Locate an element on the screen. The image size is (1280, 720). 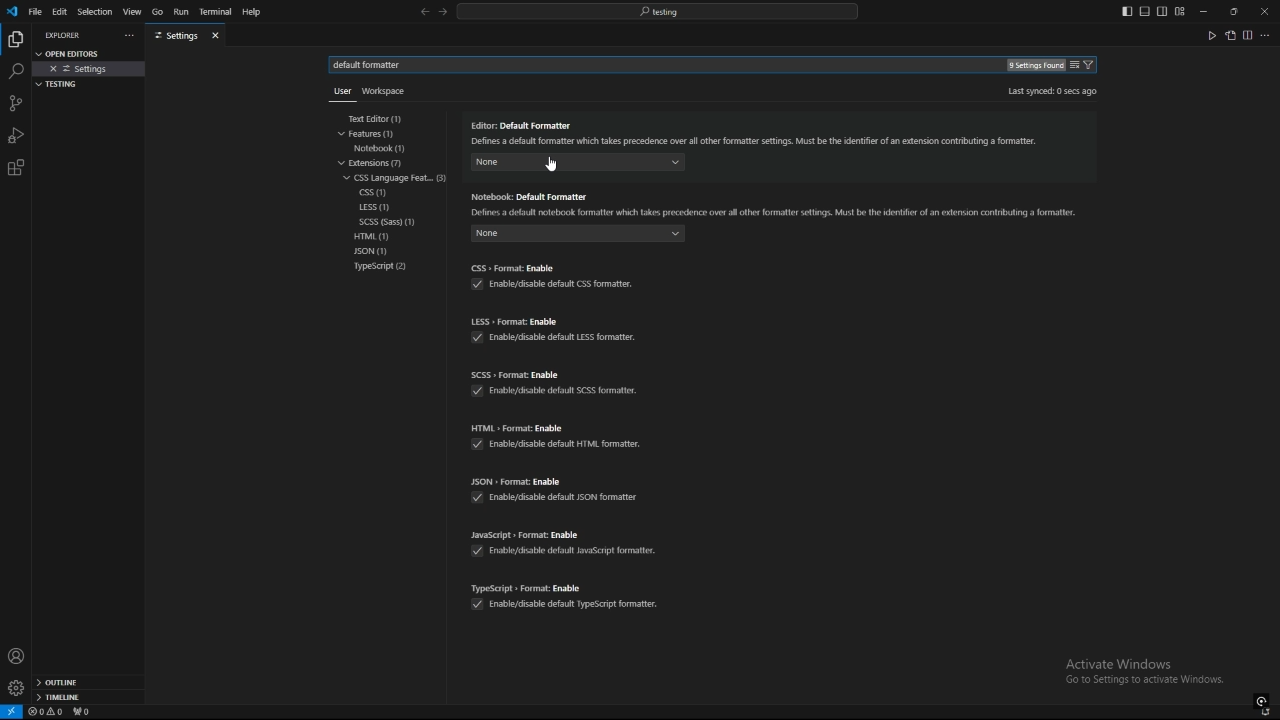
notebook default formatter is located at coordinates (776, 204).